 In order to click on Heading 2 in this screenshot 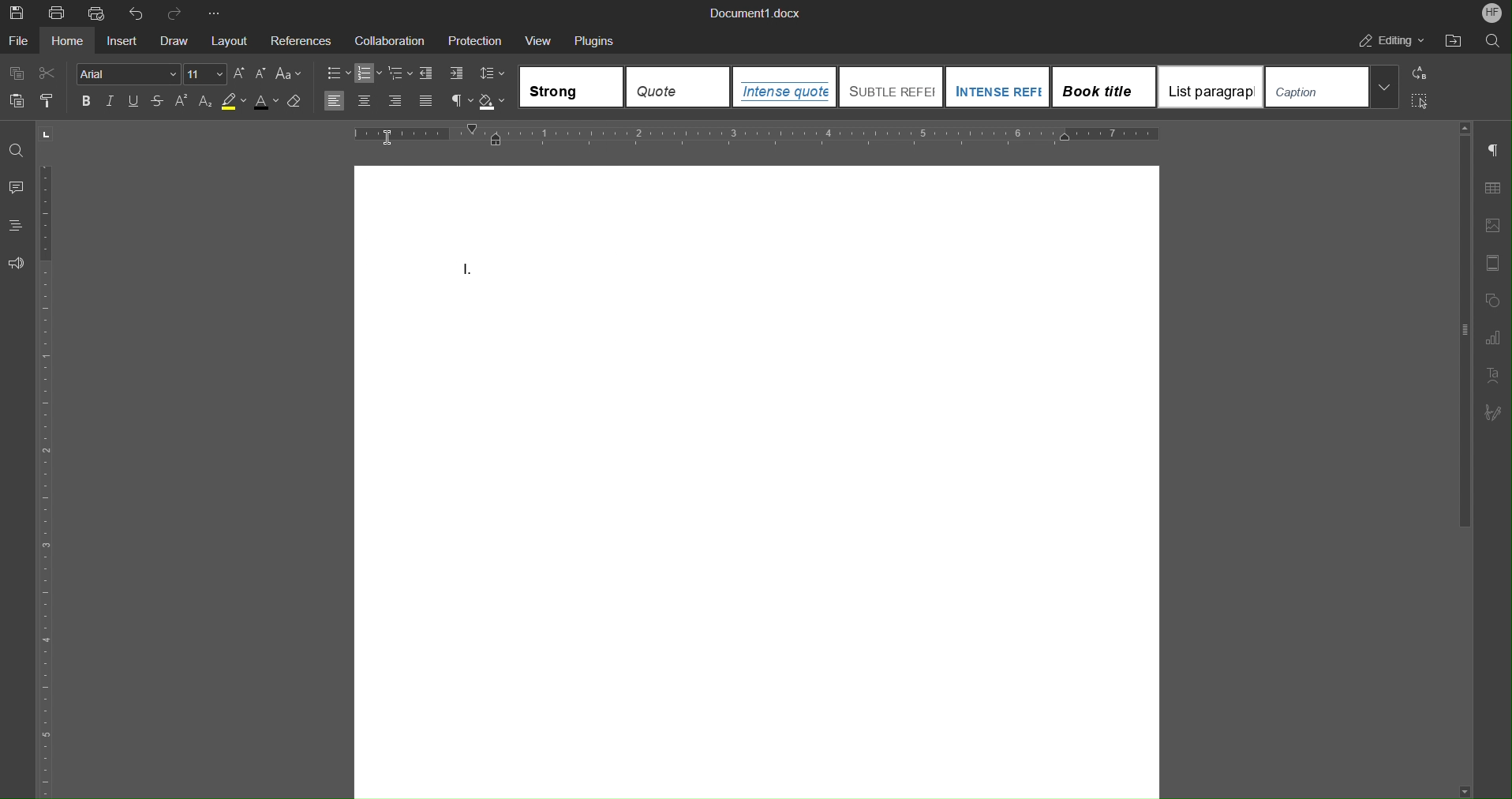, I will do `click(891, 85)`.